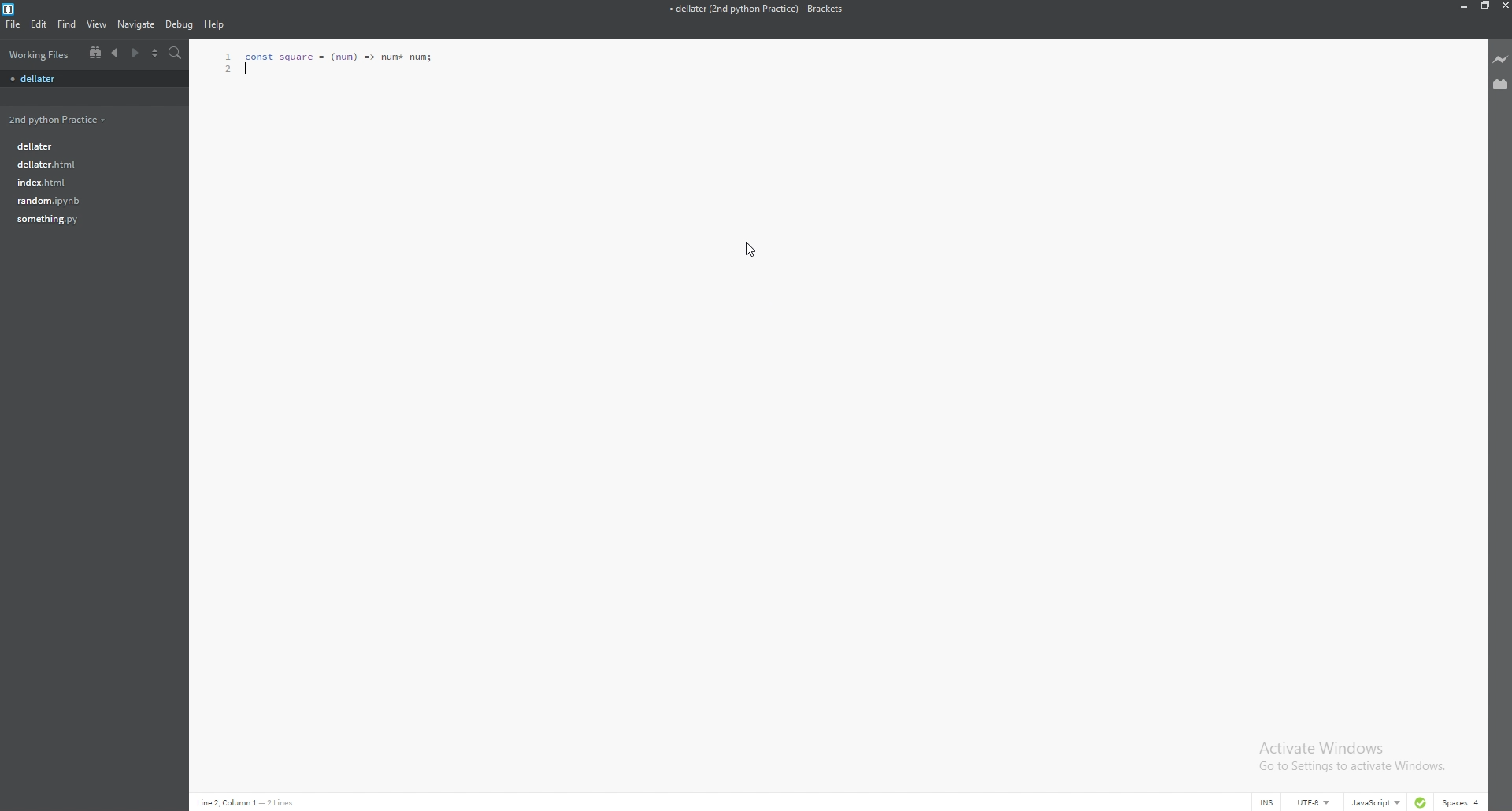 This screenshot has width=1512, height=811. Describe the element at coordinates (40, 54) in the screenshot. I see `working files` at that location.